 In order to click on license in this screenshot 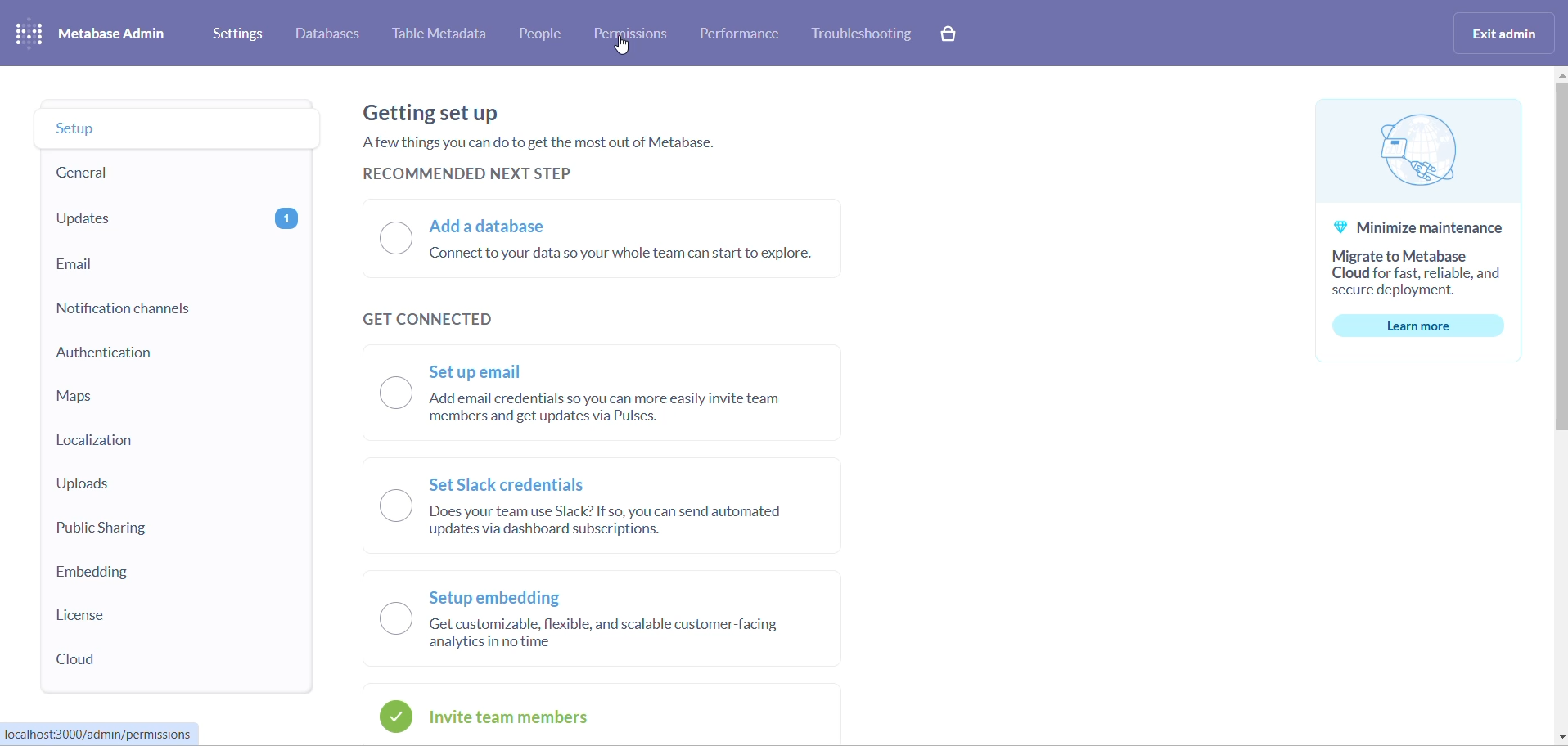, I will do `click(128, 618)`.